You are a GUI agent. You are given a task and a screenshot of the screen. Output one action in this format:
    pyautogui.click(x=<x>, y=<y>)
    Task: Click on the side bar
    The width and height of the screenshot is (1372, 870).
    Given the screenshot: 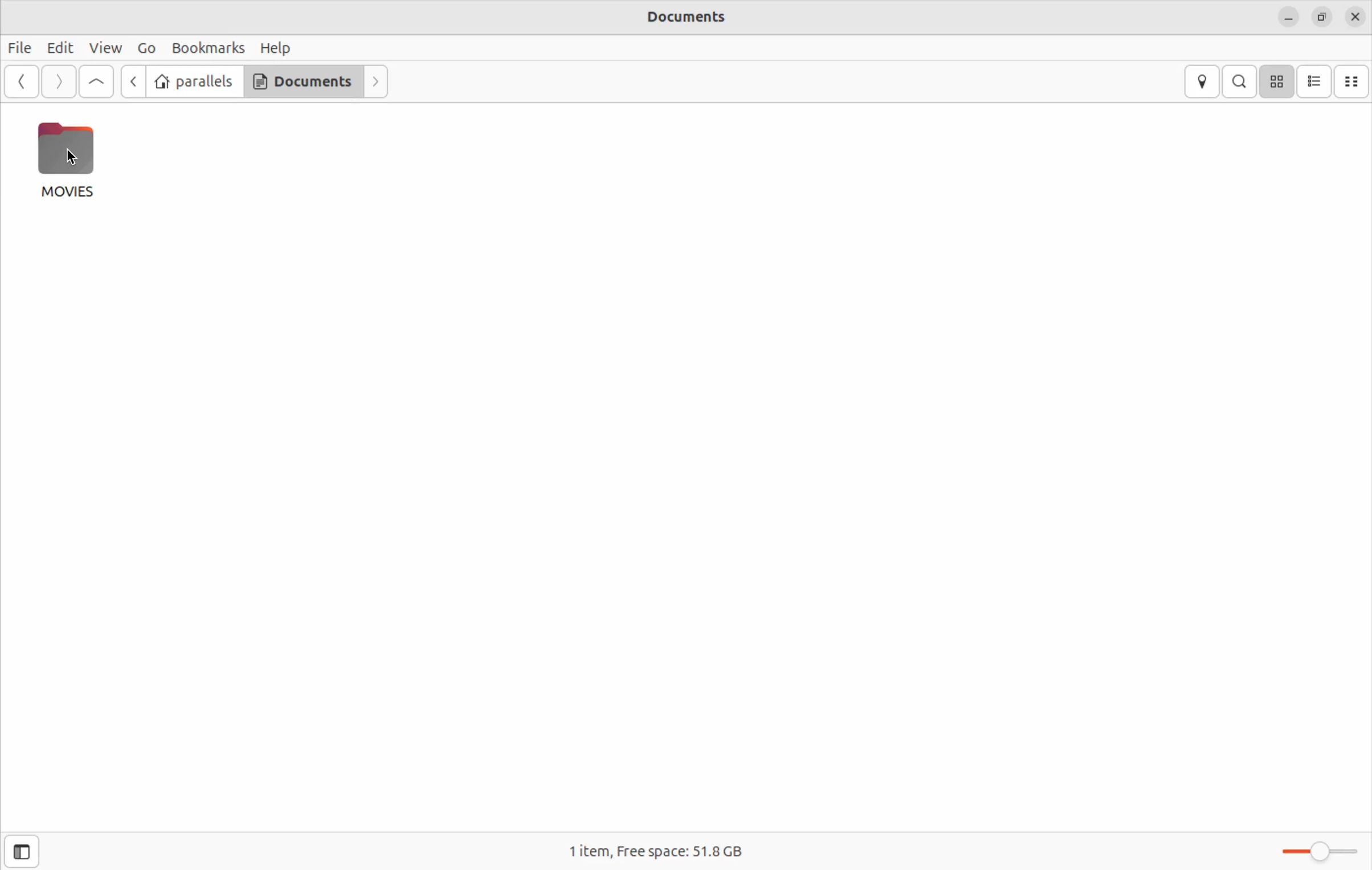 What is the action you would take?
    pyautogui.click(x=22, y=853)
    